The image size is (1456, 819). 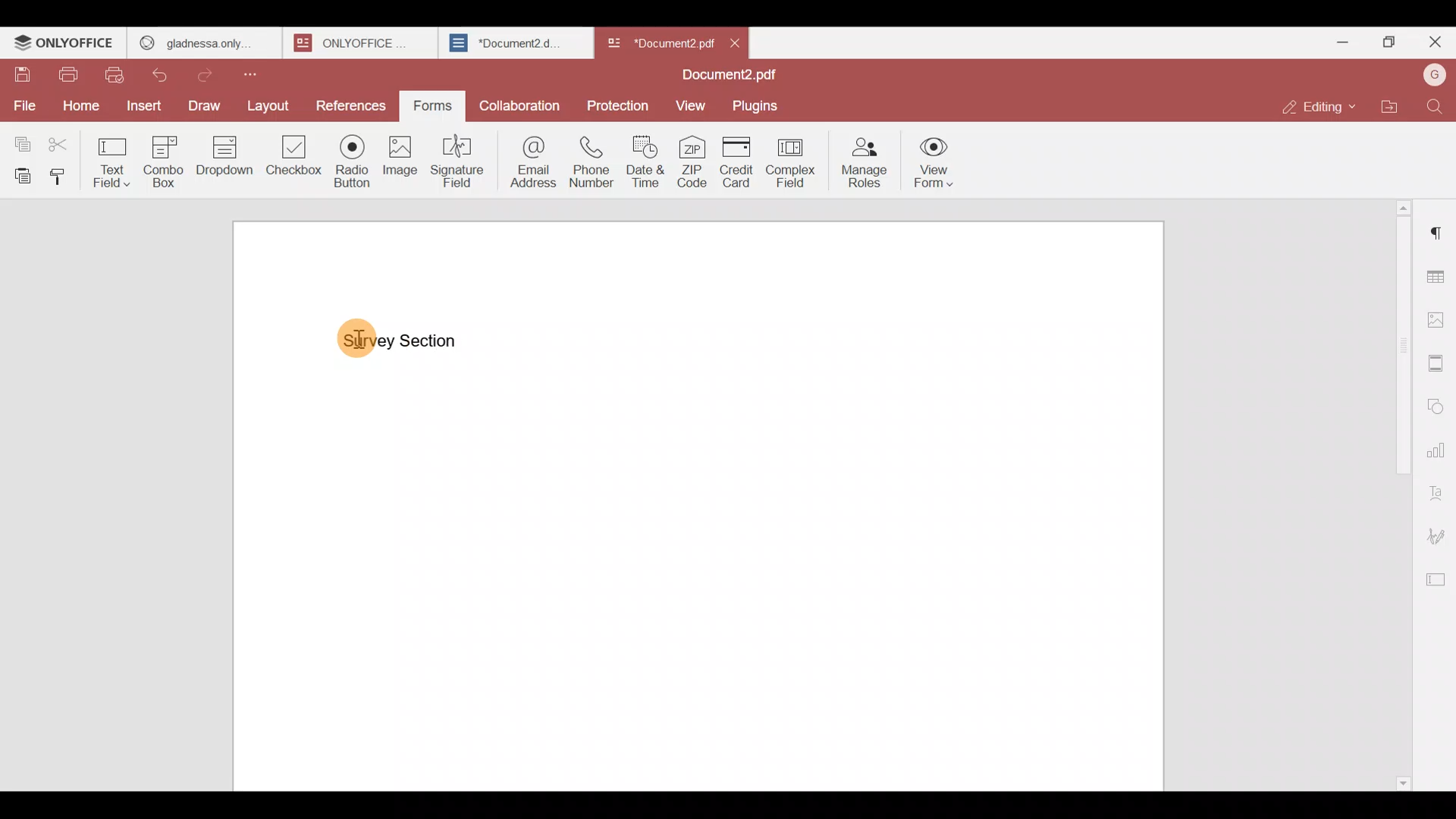 I want to click on Minimize, so click(x=1348, y=42).